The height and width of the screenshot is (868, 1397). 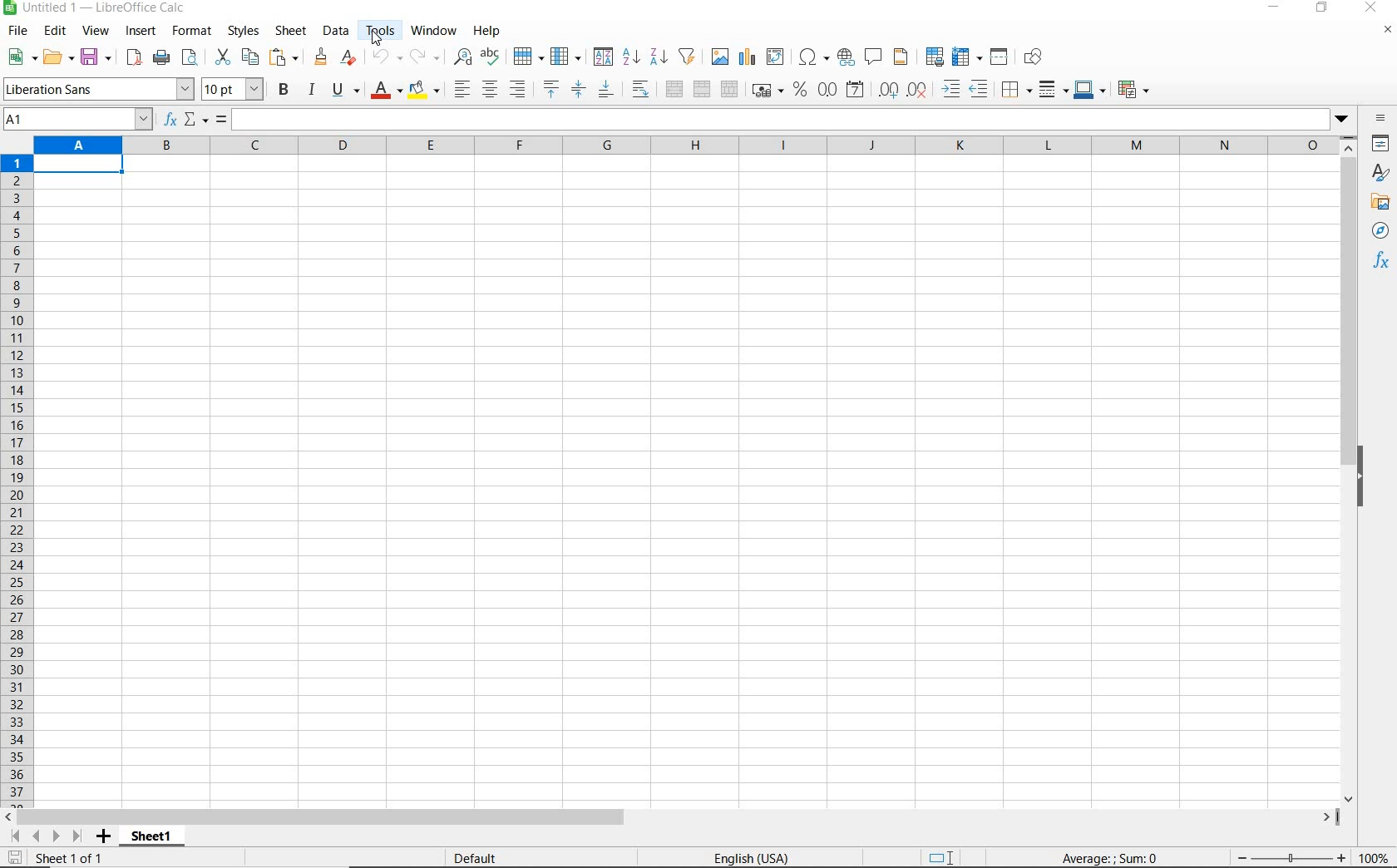 I want to click on paste, so click(x=283, y=57).